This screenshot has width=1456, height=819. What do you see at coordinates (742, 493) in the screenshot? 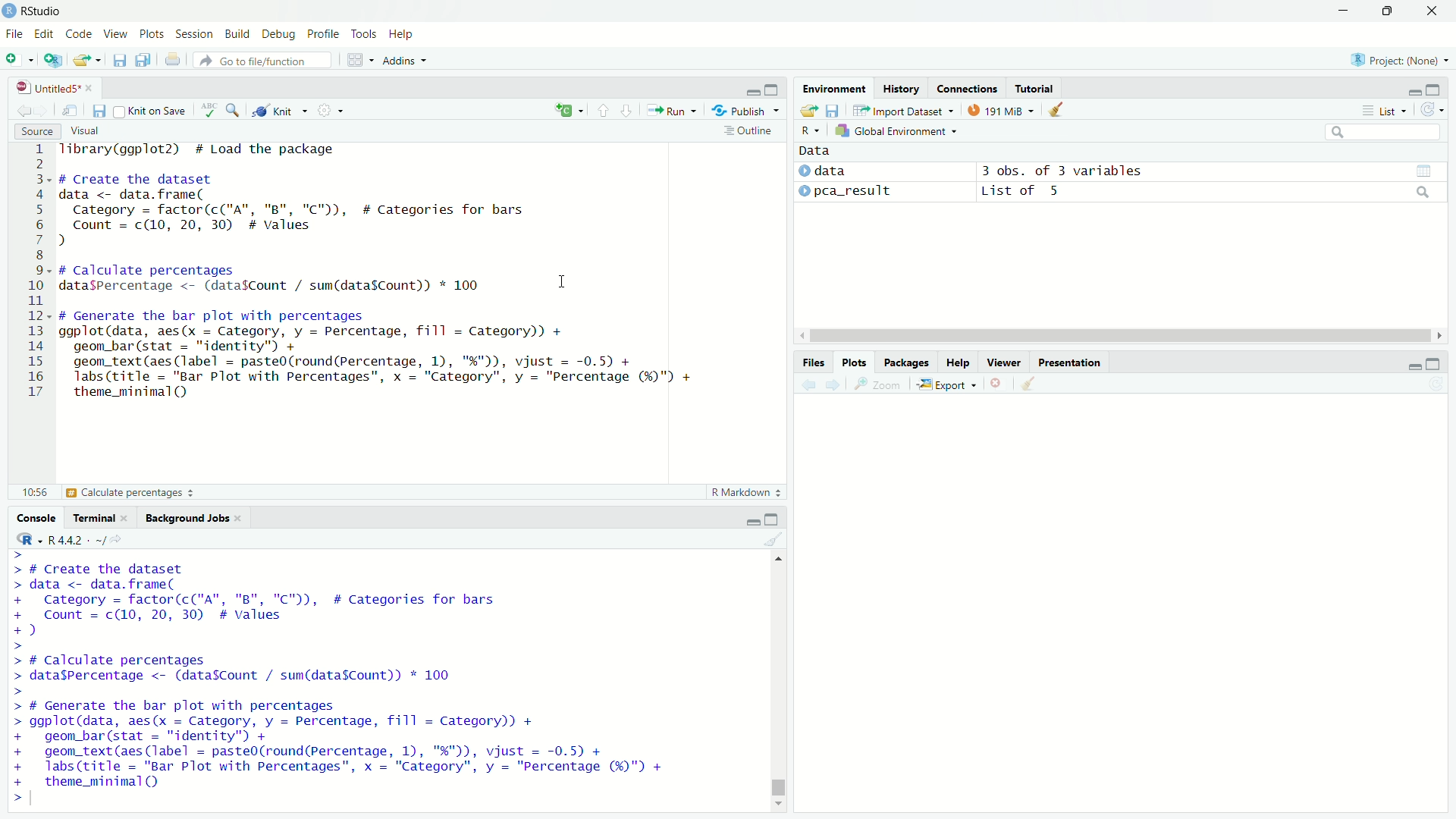
I see `R markdown` at bounding box center [742, 493].